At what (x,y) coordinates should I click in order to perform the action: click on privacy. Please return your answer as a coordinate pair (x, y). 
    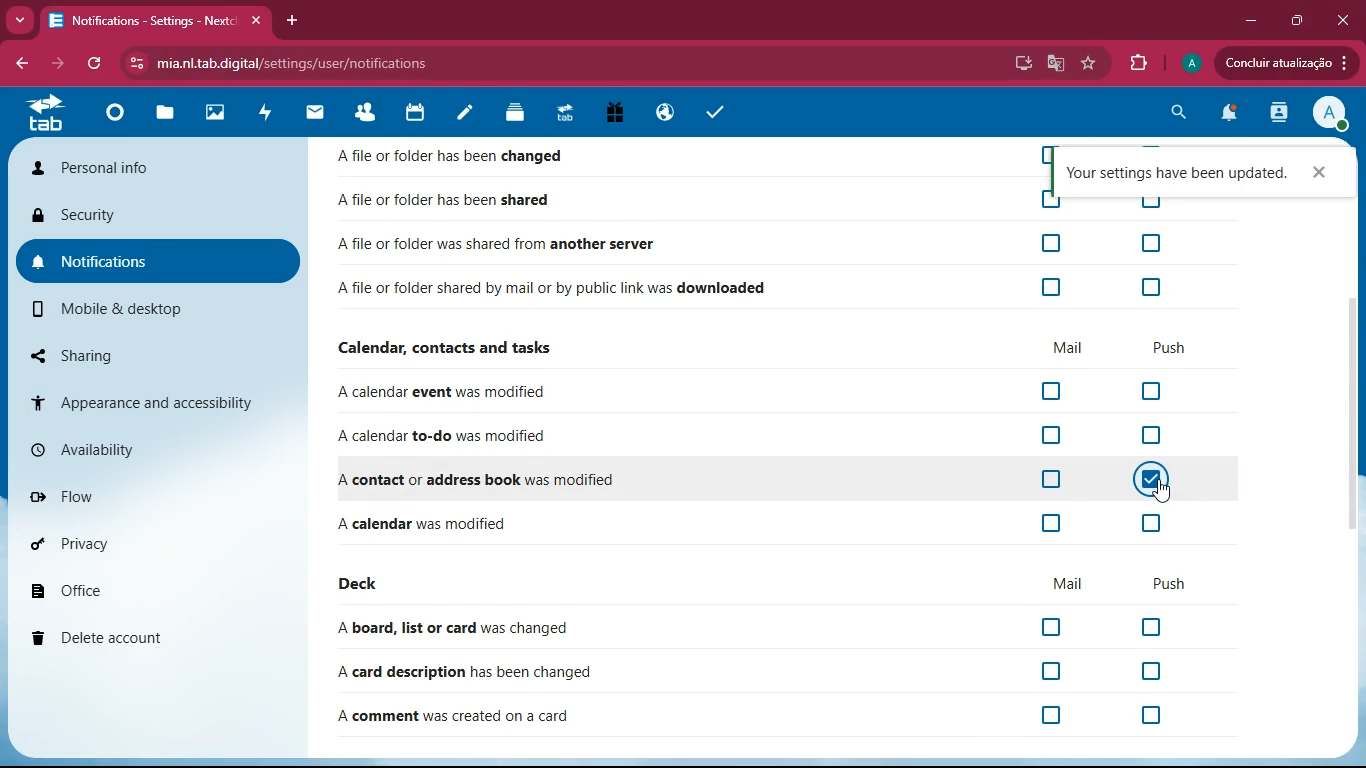
    Looking at the image, I should click on (137, 545).